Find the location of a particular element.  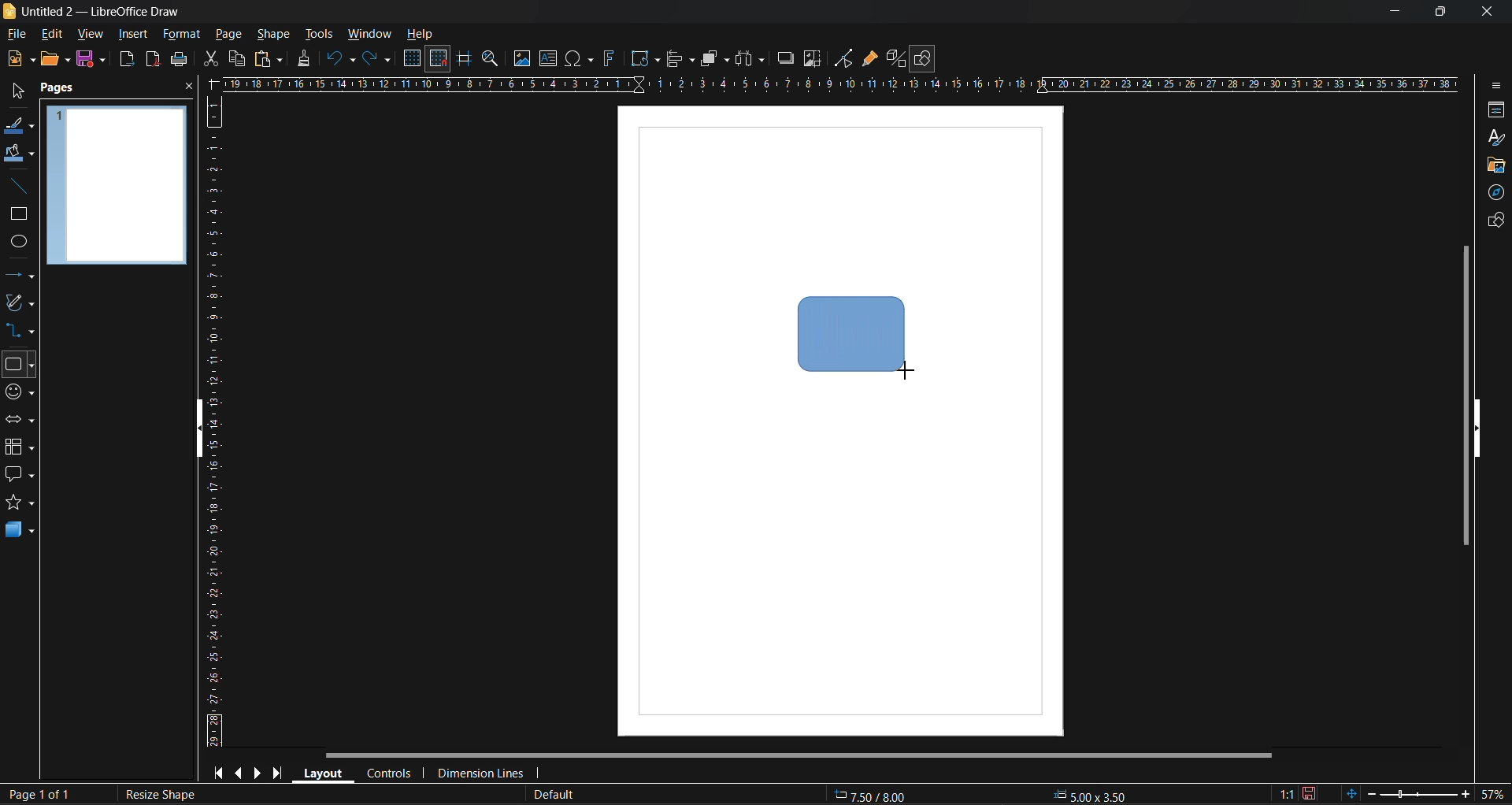

flowchart is located at coordinates (19, 447).